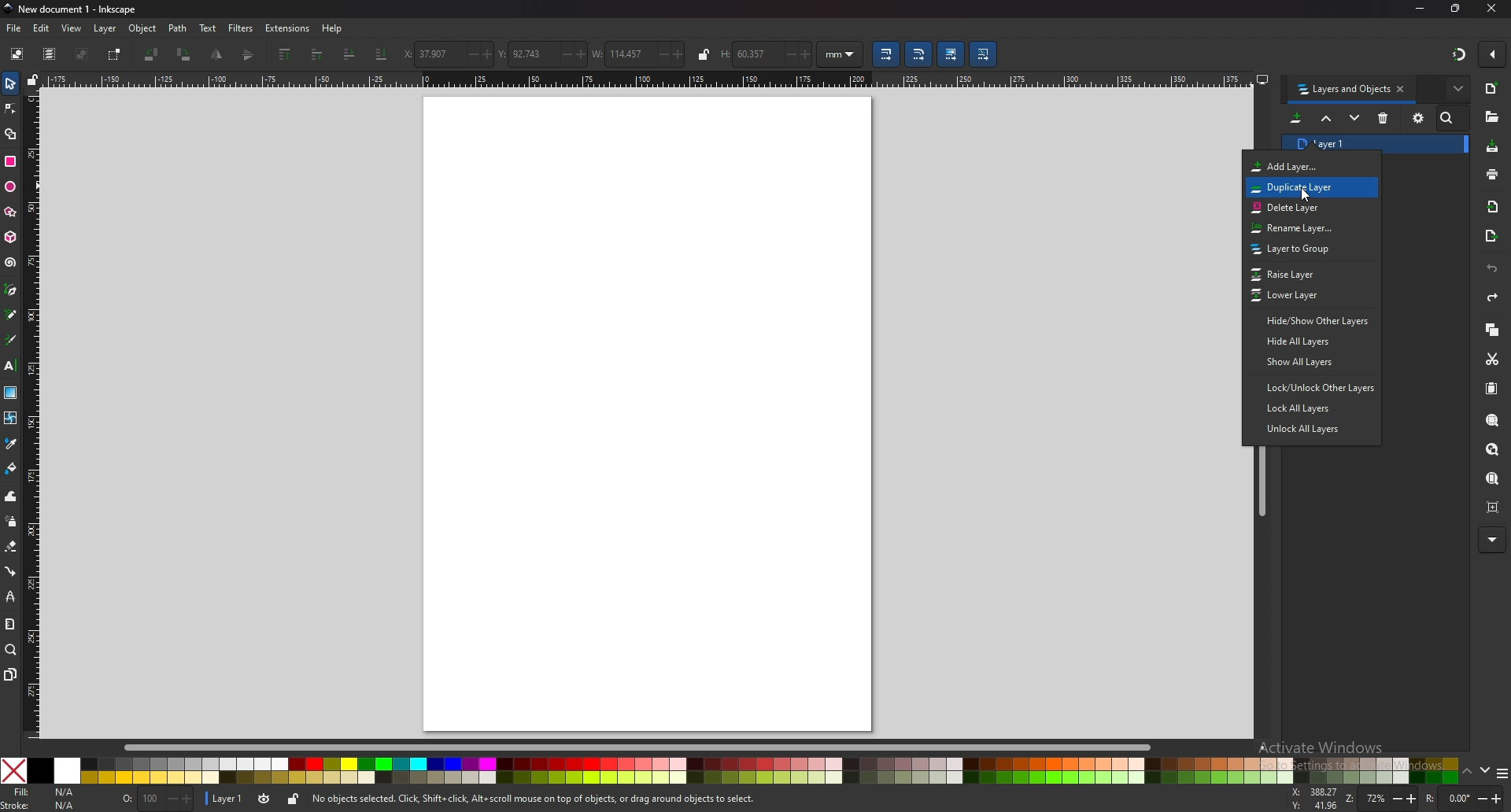 This screenshot has width=1511, height=812. What do you see at coordinates (10, 445) in the screenshot?
I see `color picker` at bounding box center [10, 445].